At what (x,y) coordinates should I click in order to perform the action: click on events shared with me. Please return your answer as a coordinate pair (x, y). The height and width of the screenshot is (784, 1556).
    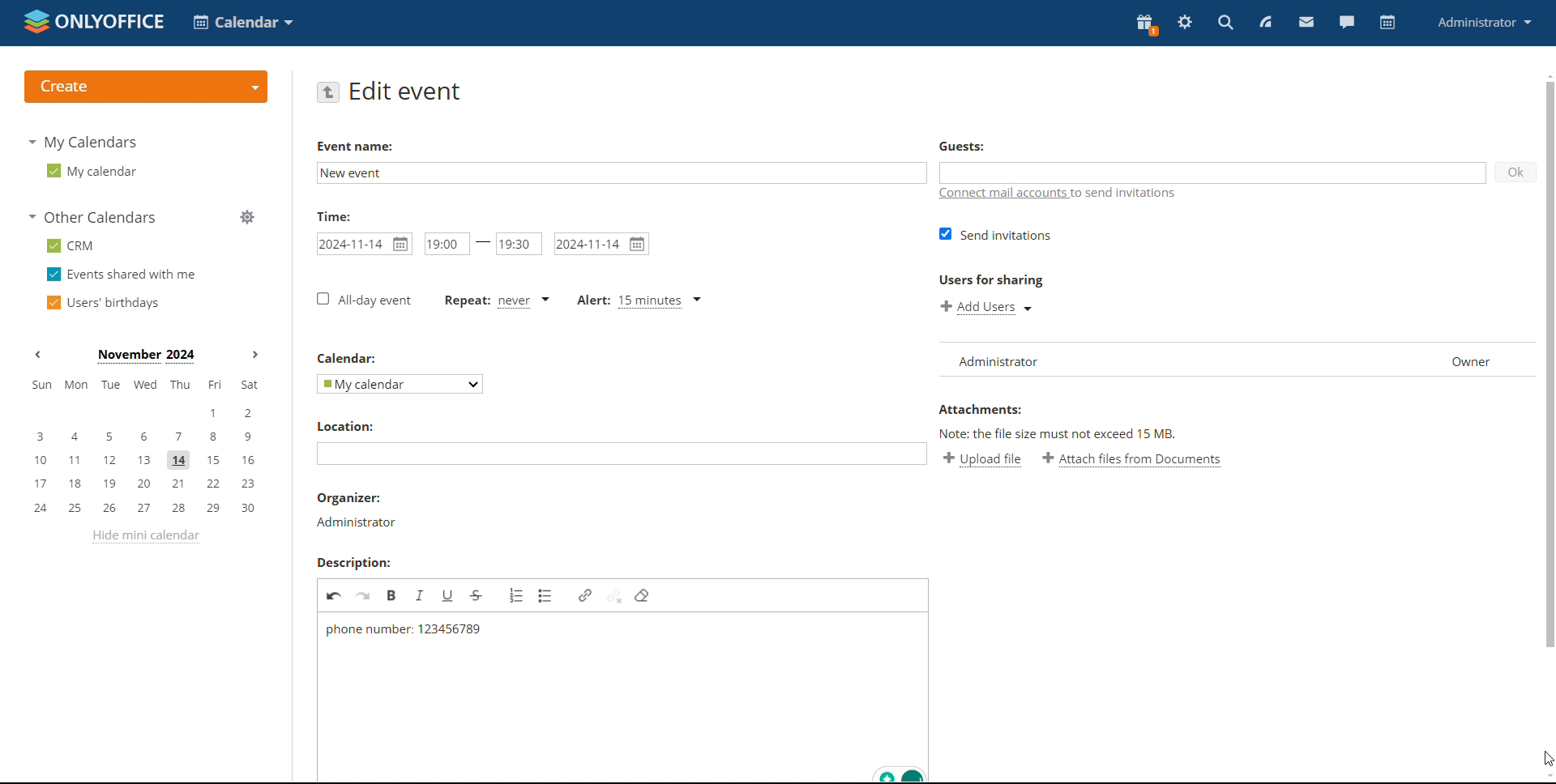
    Looking at the image, I should click on (123, 275).